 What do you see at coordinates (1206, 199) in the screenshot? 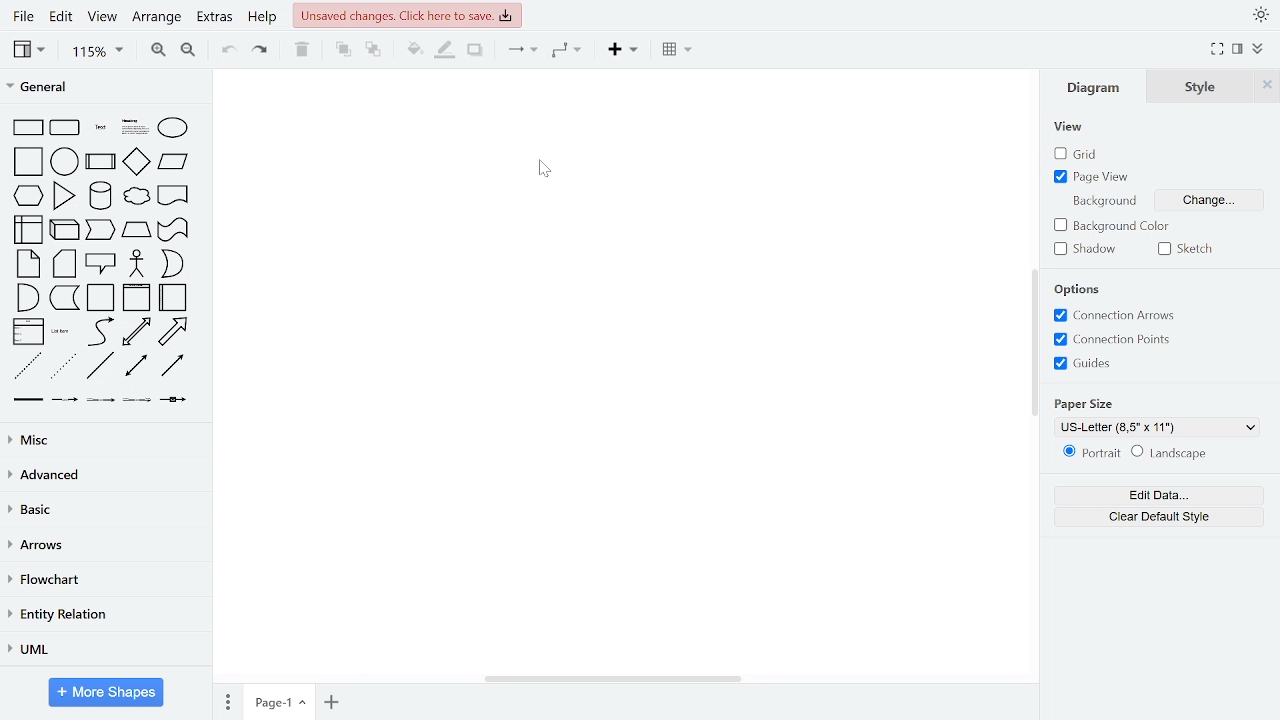
I see `change background` at bounding box center [1206, 199].